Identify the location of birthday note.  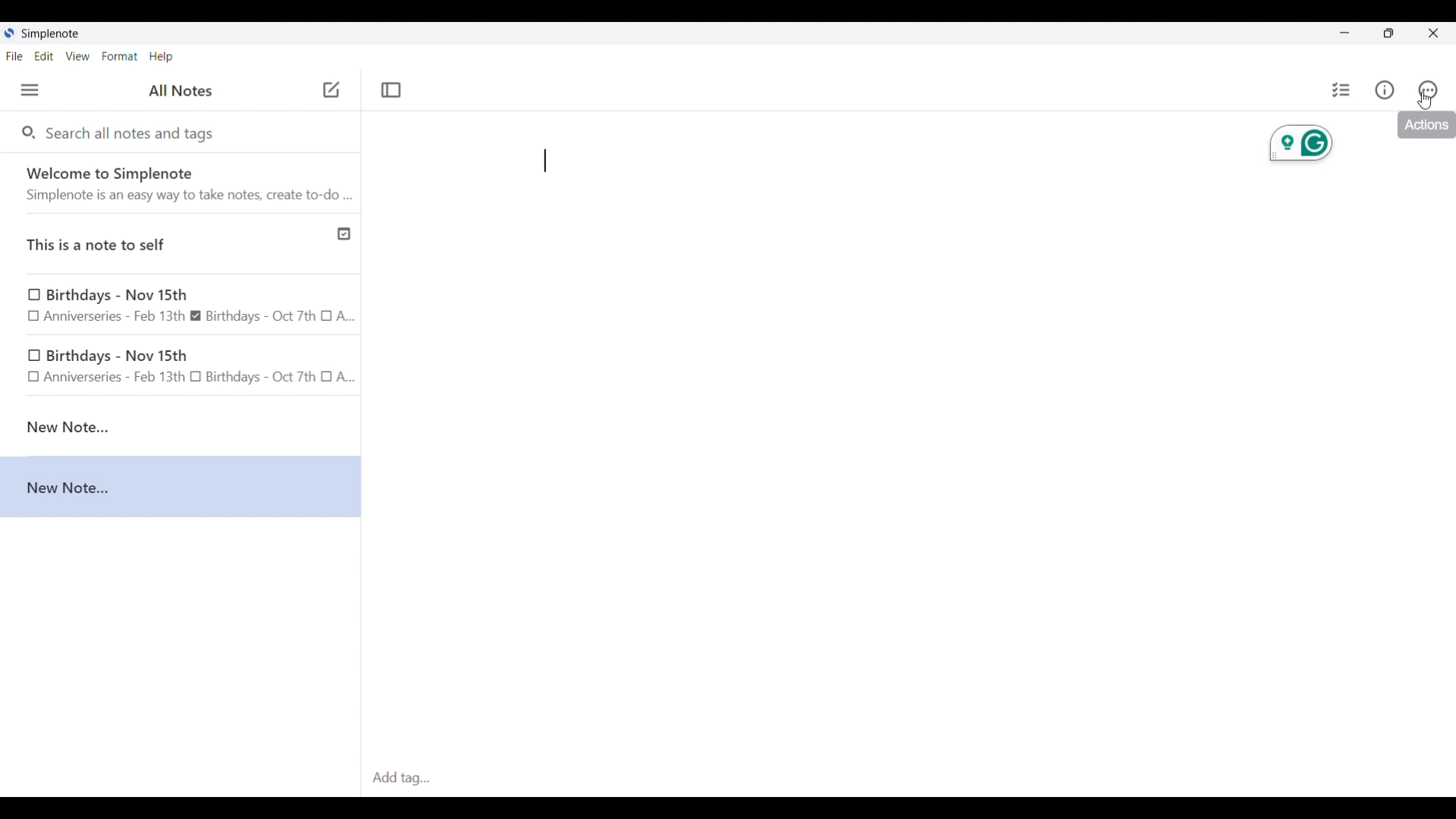
(182, 369).